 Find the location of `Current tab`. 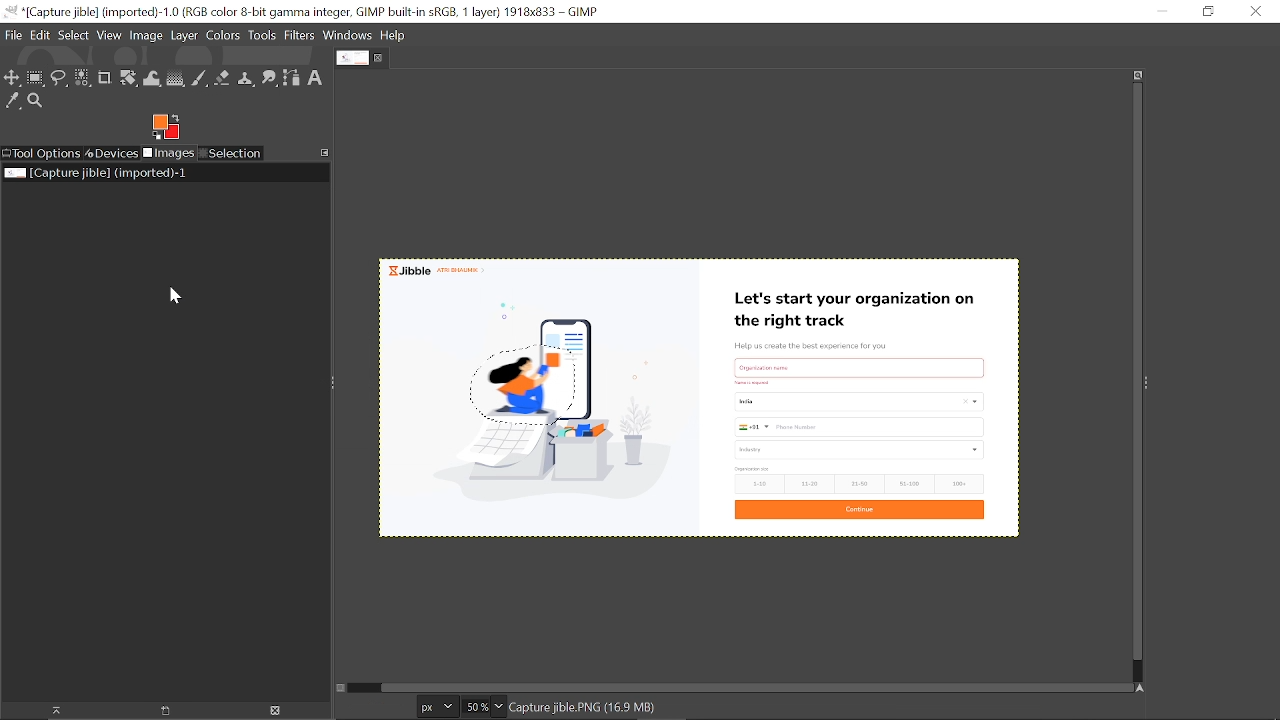

Current tab is located at coordinates (352, 58).